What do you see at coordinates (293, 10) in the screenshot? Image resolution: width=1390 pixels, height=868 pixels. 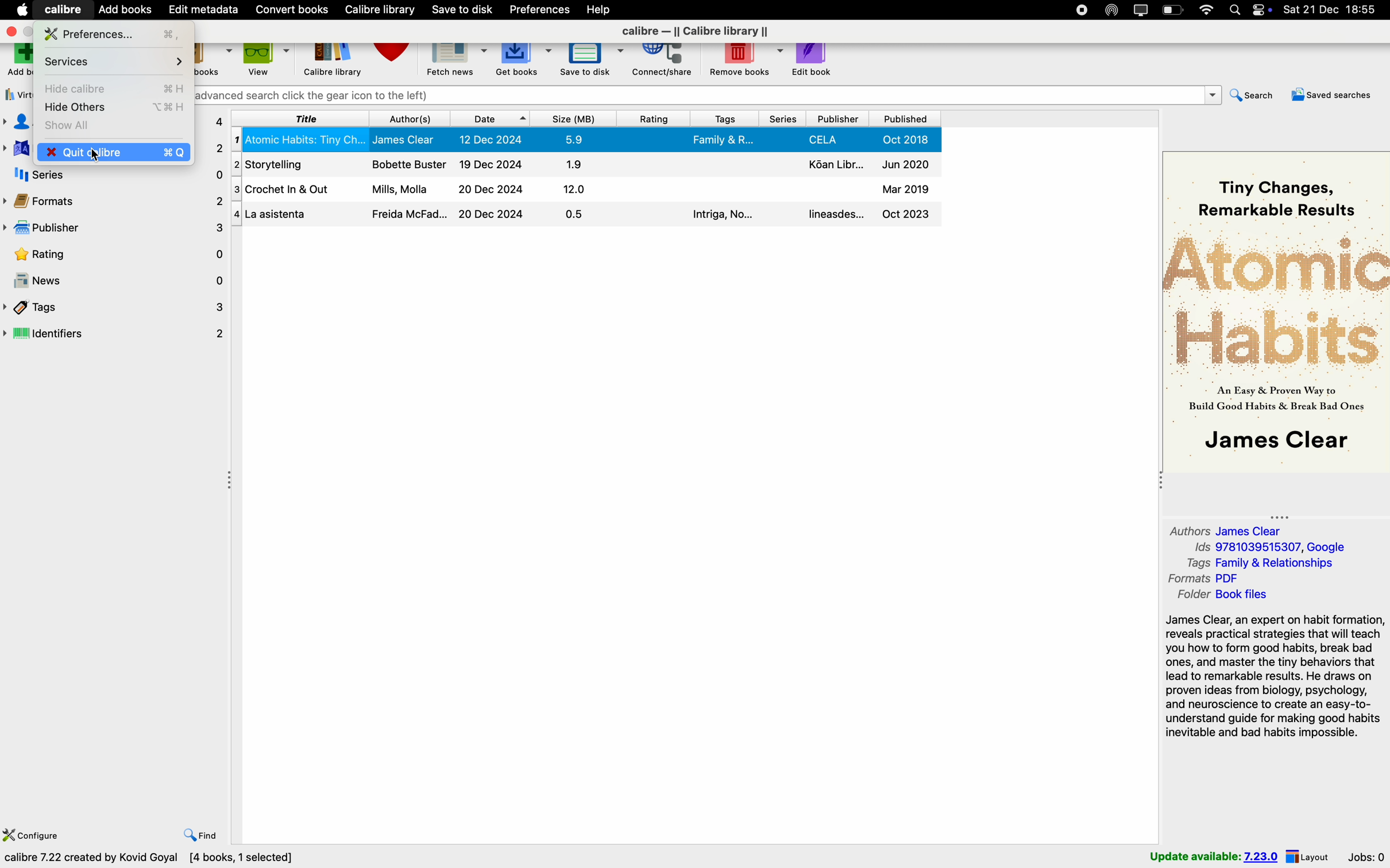 I see `convert books` at bounding box center [293, 10].